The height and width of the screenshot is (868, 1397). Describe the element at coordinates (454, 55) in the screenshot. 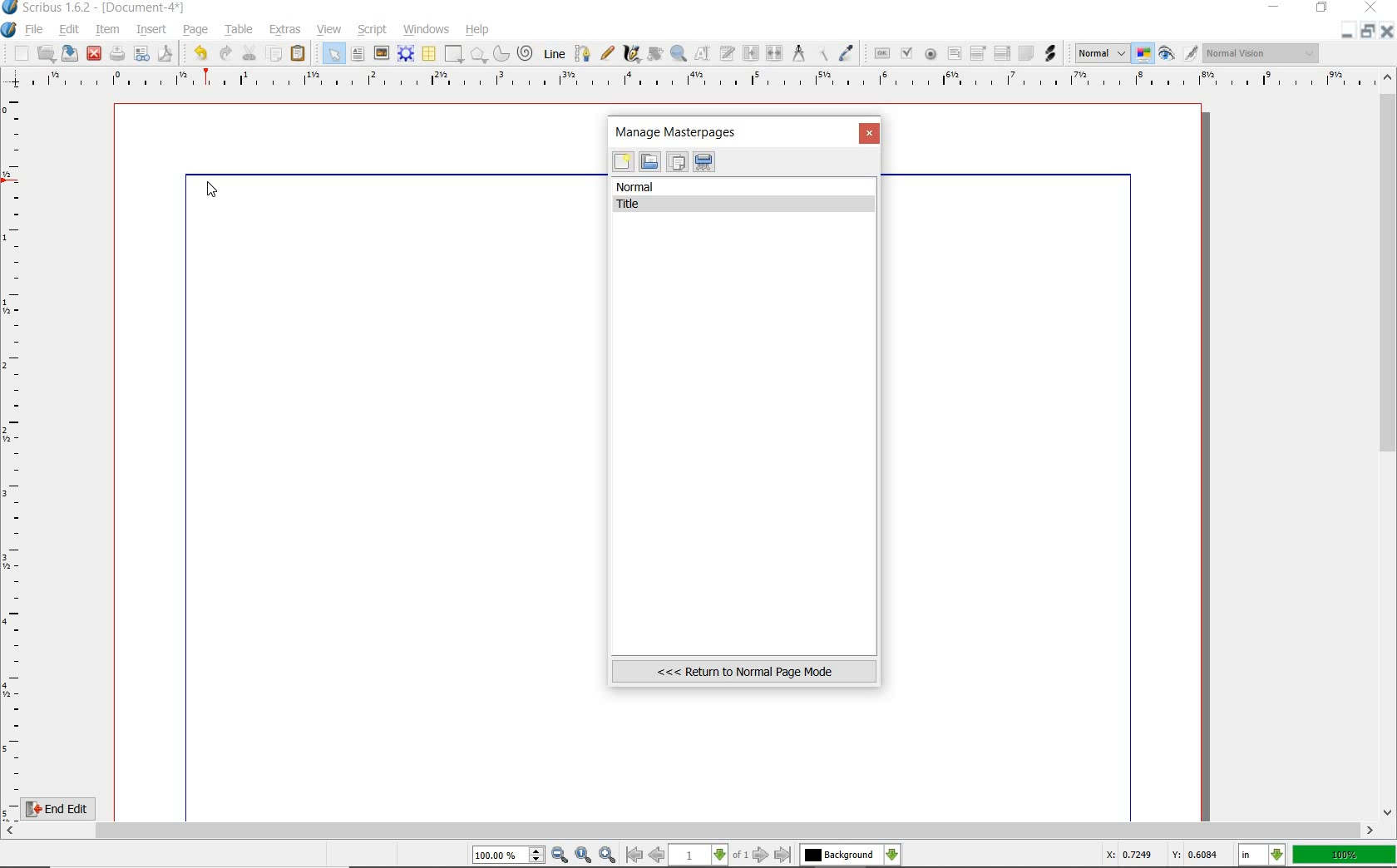

I see `shape` at that location.